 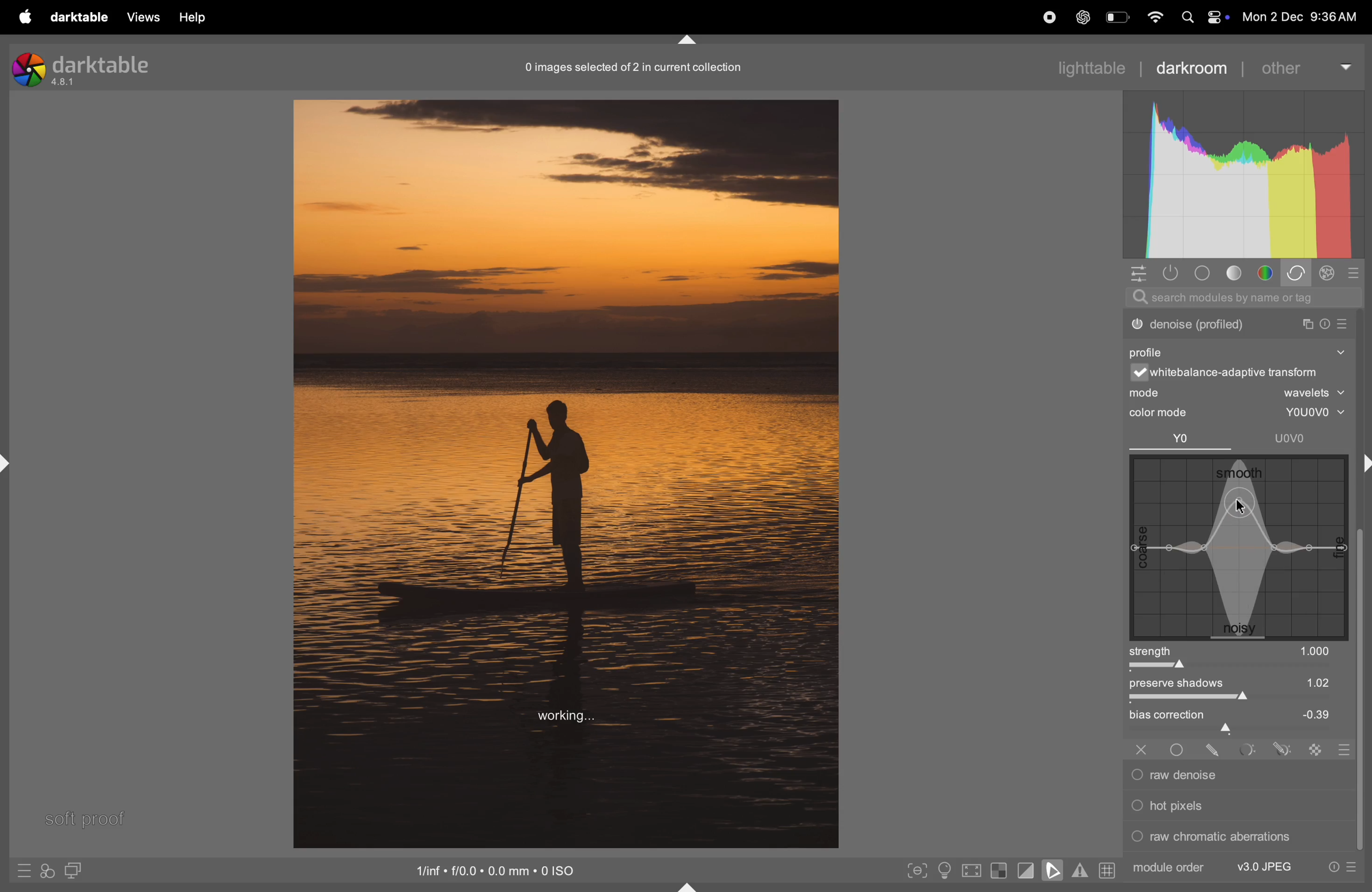 What do you see at coordinates (1292, 438) in the screenshot?
I see `UOvo` at bounding box center [1292, 438].